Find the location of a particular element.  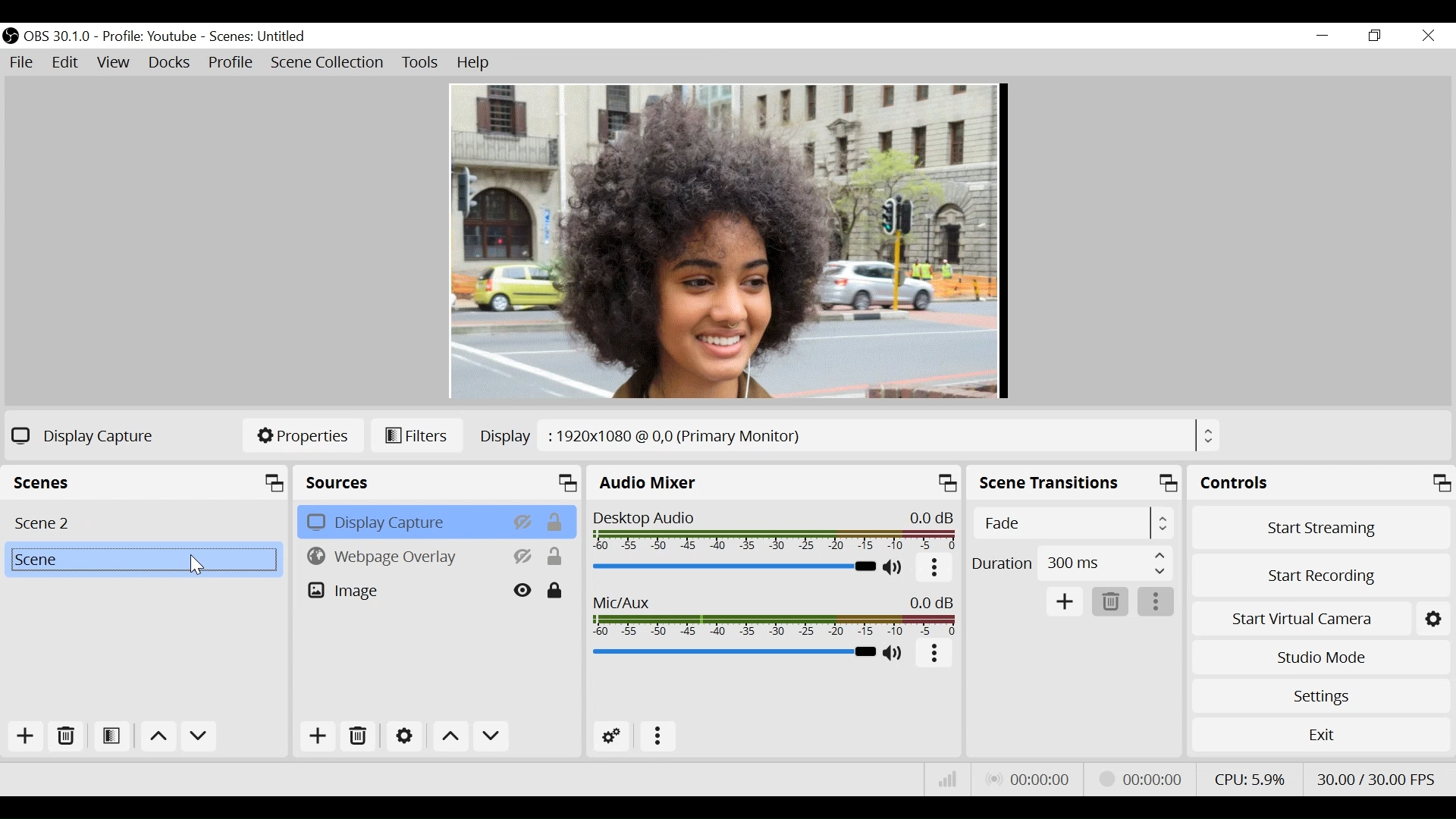

Studio Mode is located at coordinates (1318, 657).